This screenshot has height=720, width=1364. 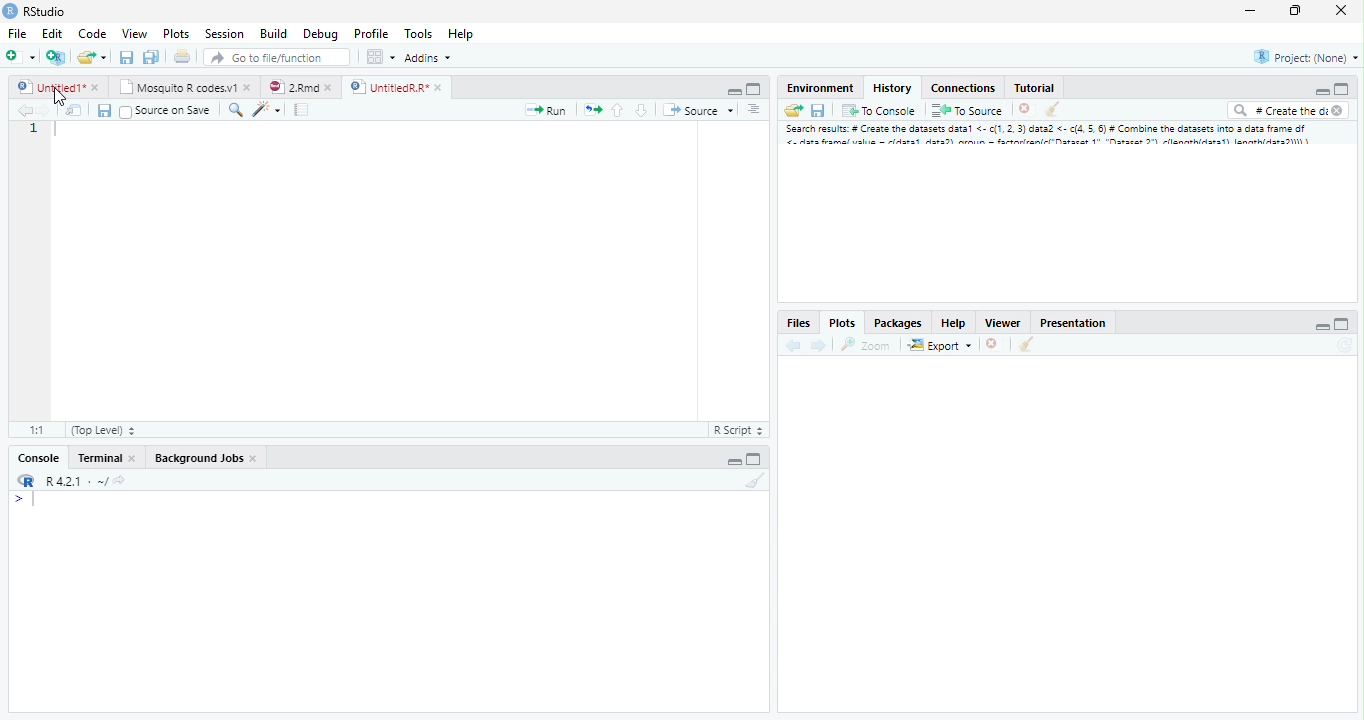 I want to click on Project (None), so click(x=1308, y=57).